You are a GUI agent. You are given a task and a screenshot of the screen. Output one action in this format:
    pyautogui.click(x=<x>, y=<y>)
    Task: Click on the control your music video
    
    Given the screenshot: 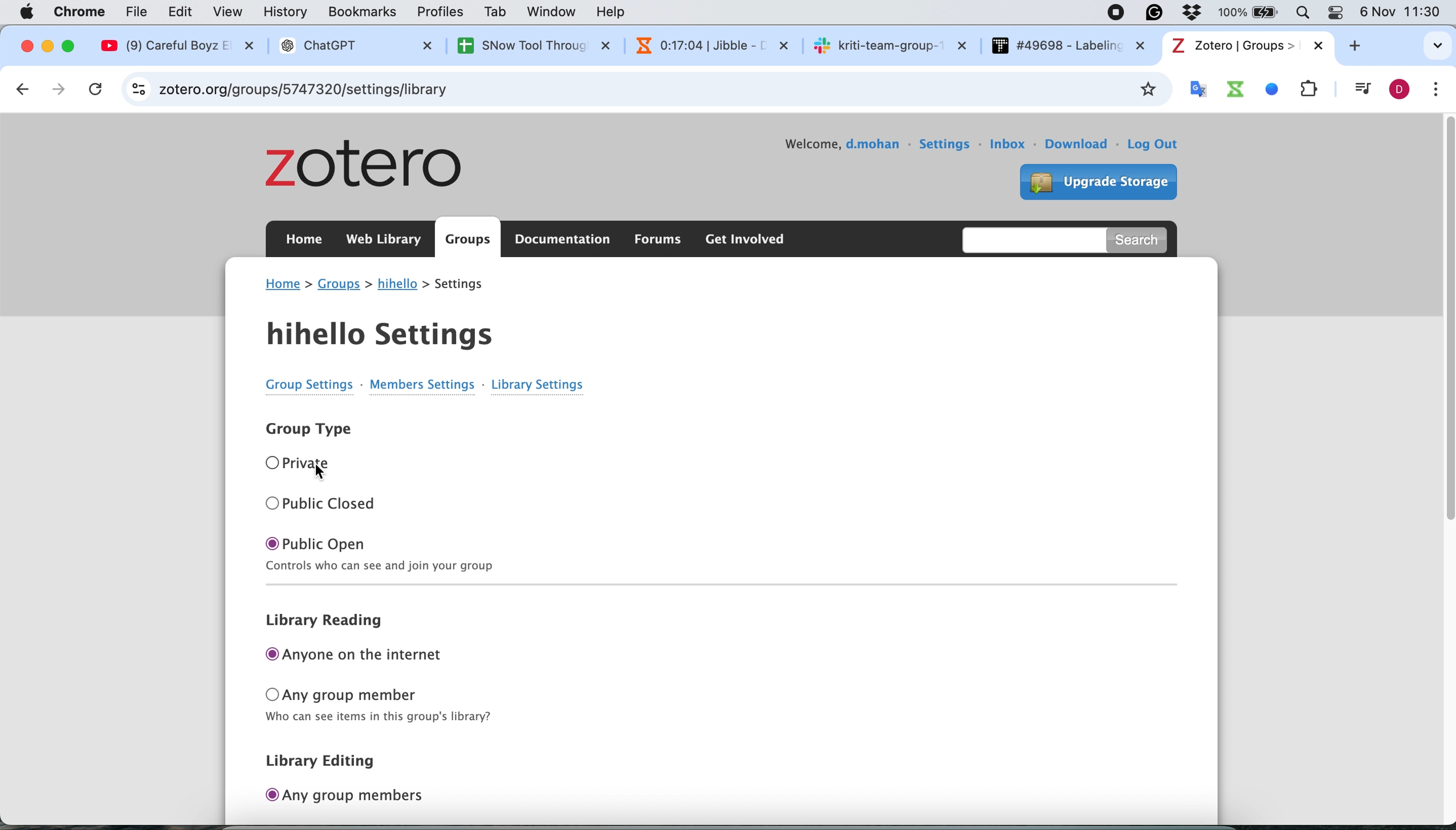 What is the action you would take?
    pyautogui.click(x=1359, y=89)
    